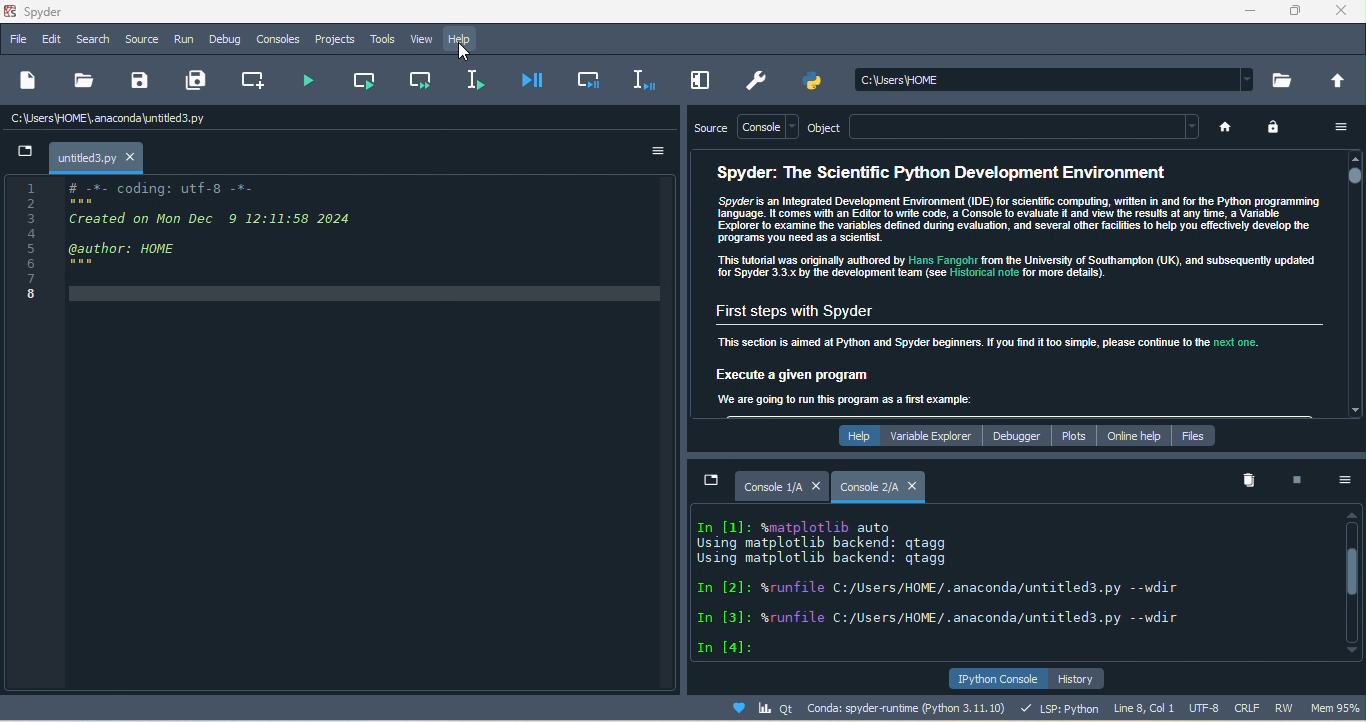 This screenshot has width=1366, height=722. Describe the element at coordinates (57, 10) in the screenshot. I see `title` at that location.